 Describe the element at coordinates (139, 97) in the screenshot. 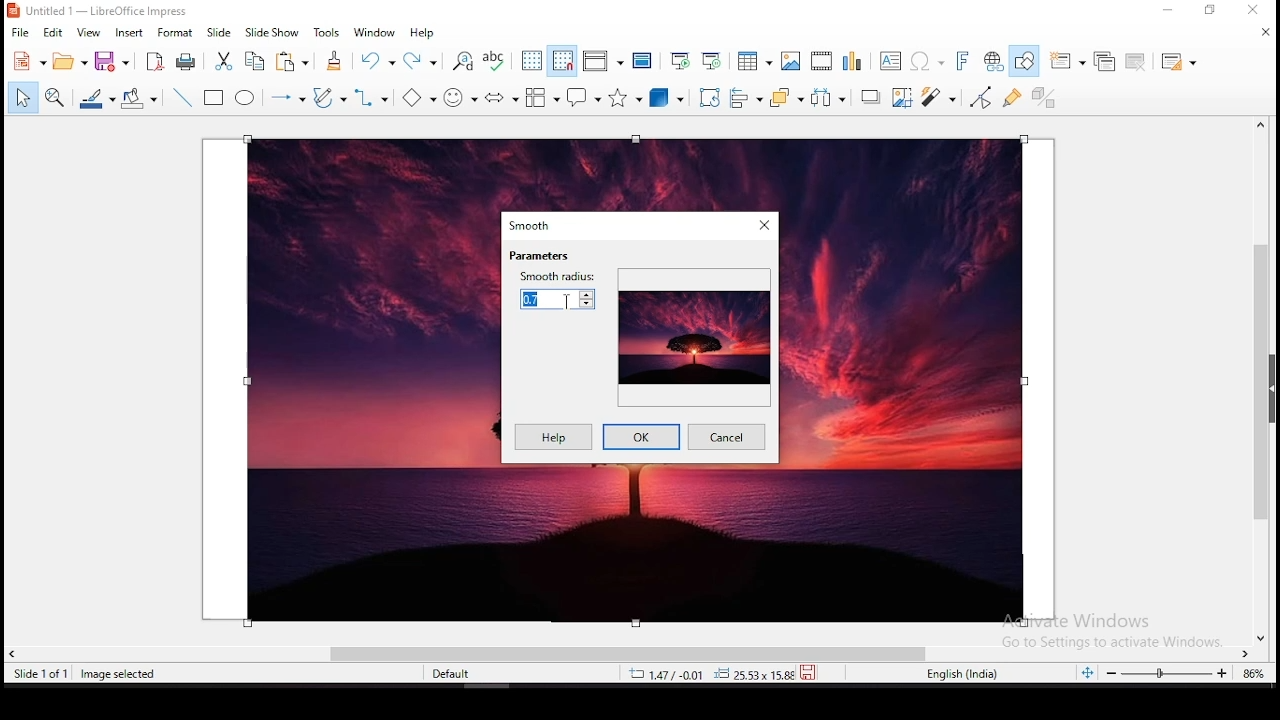

I see `fill color` at that location.